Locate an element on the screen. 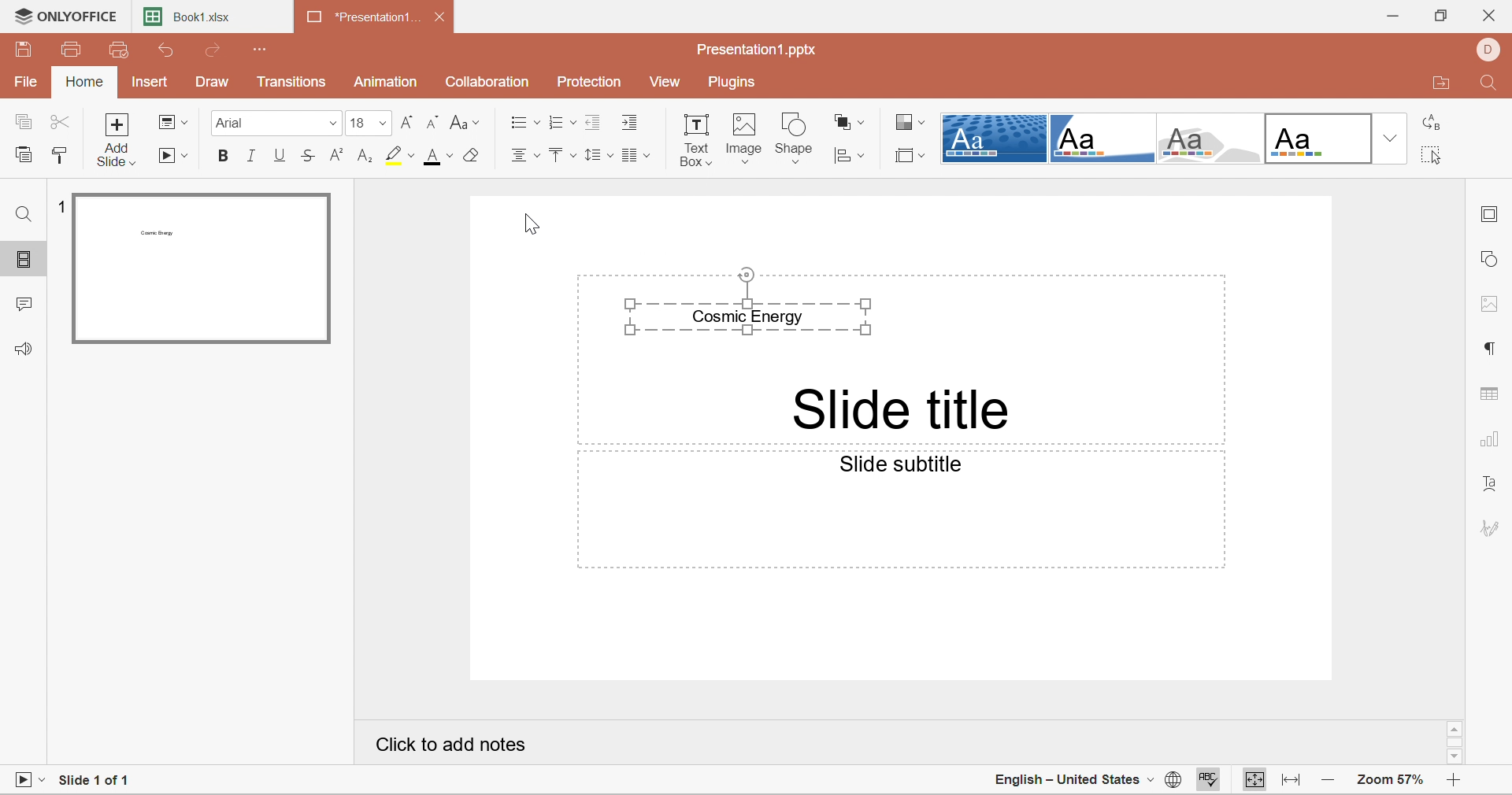 Image resolution: width=1512 pixels, height=795 pixels. Undo is located at coordinates (166, 50).